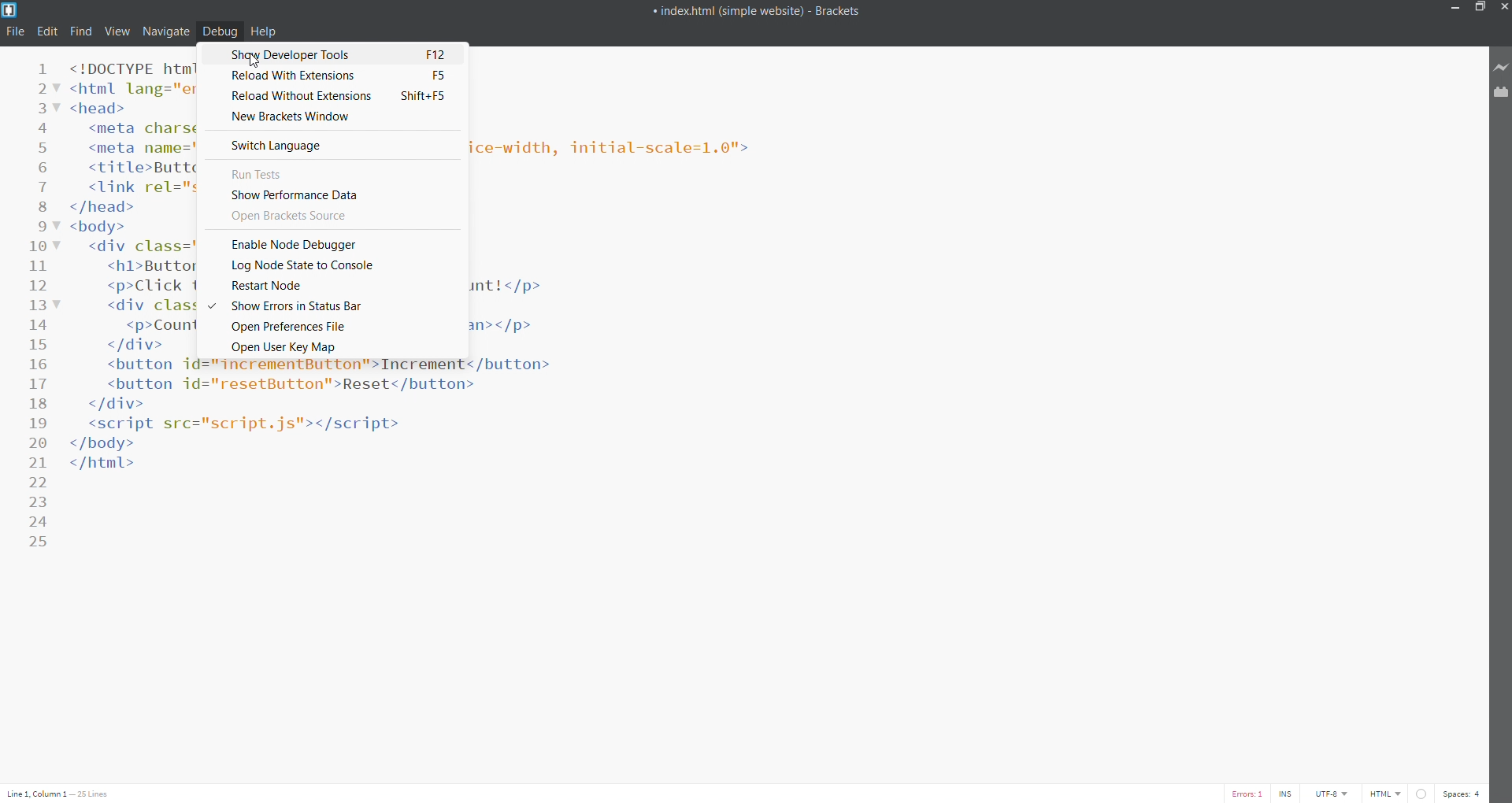 Image resolution: width=1512 pixels, height=803 pixels. I want to click on toggle cursor, so click(1288, 794).